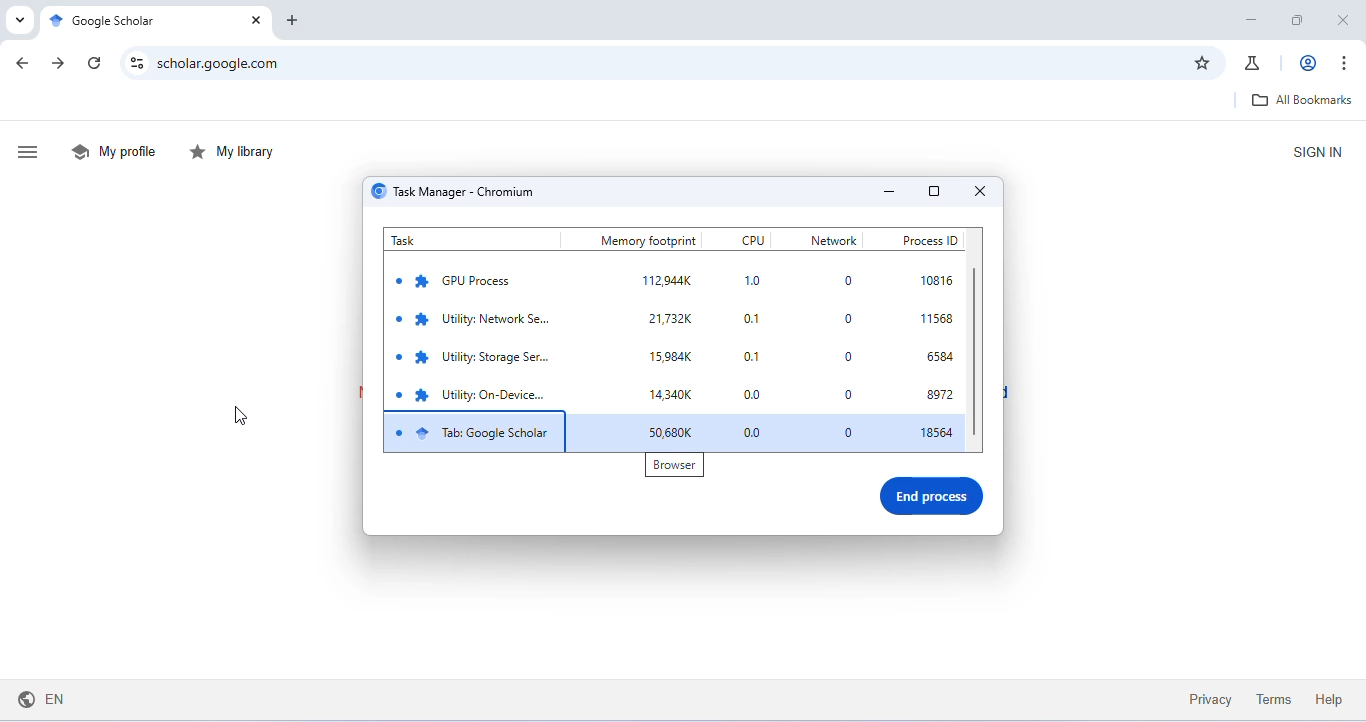  What do you see at coordinates (1211, 699) in the screenshot?
I see `privacy` at bounding box center [1211, 699].